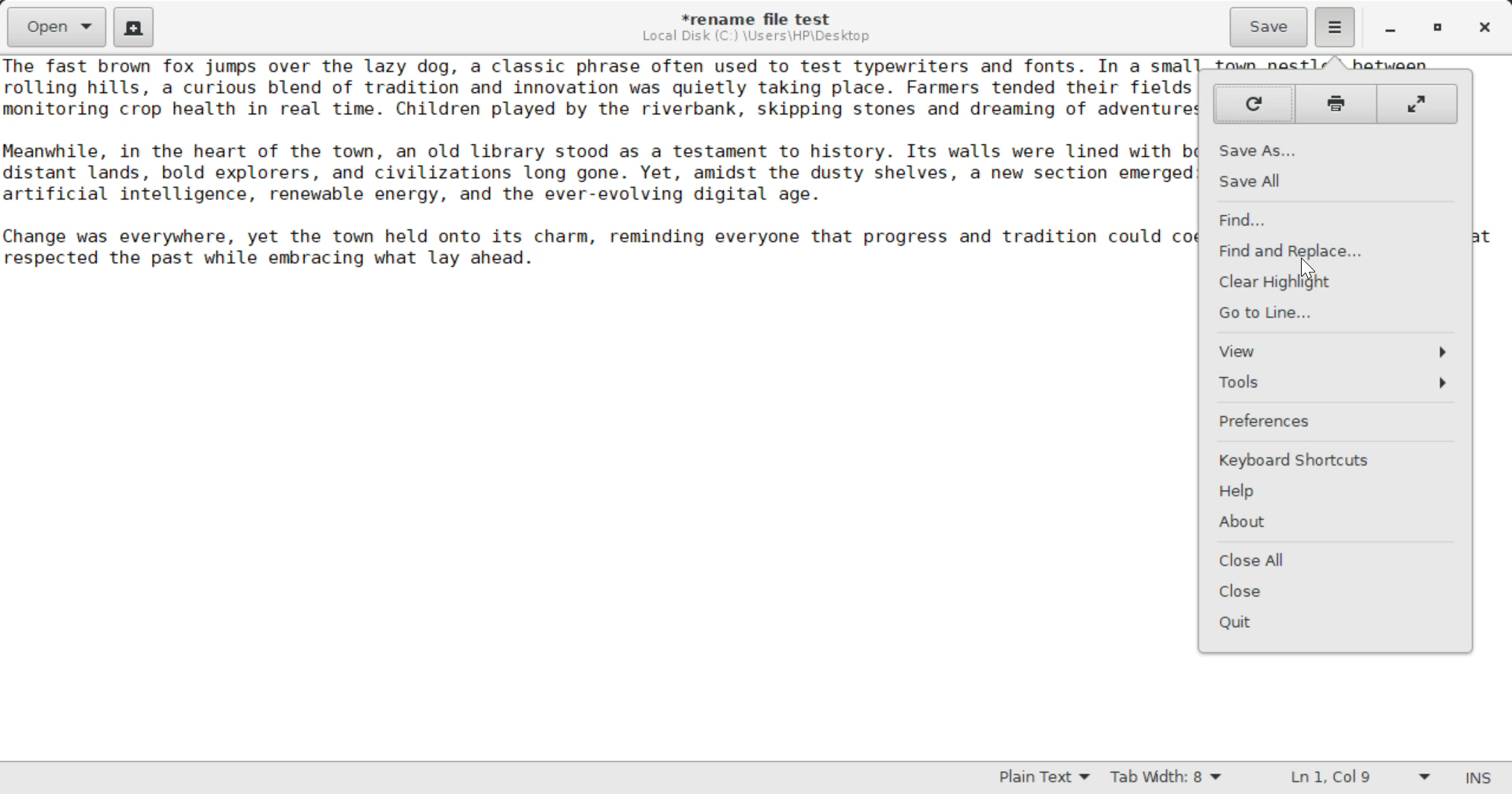  What do you see at coordinates (1338, 595) in the screenshot?
I see `Close` at bounding box center [1338, 595].